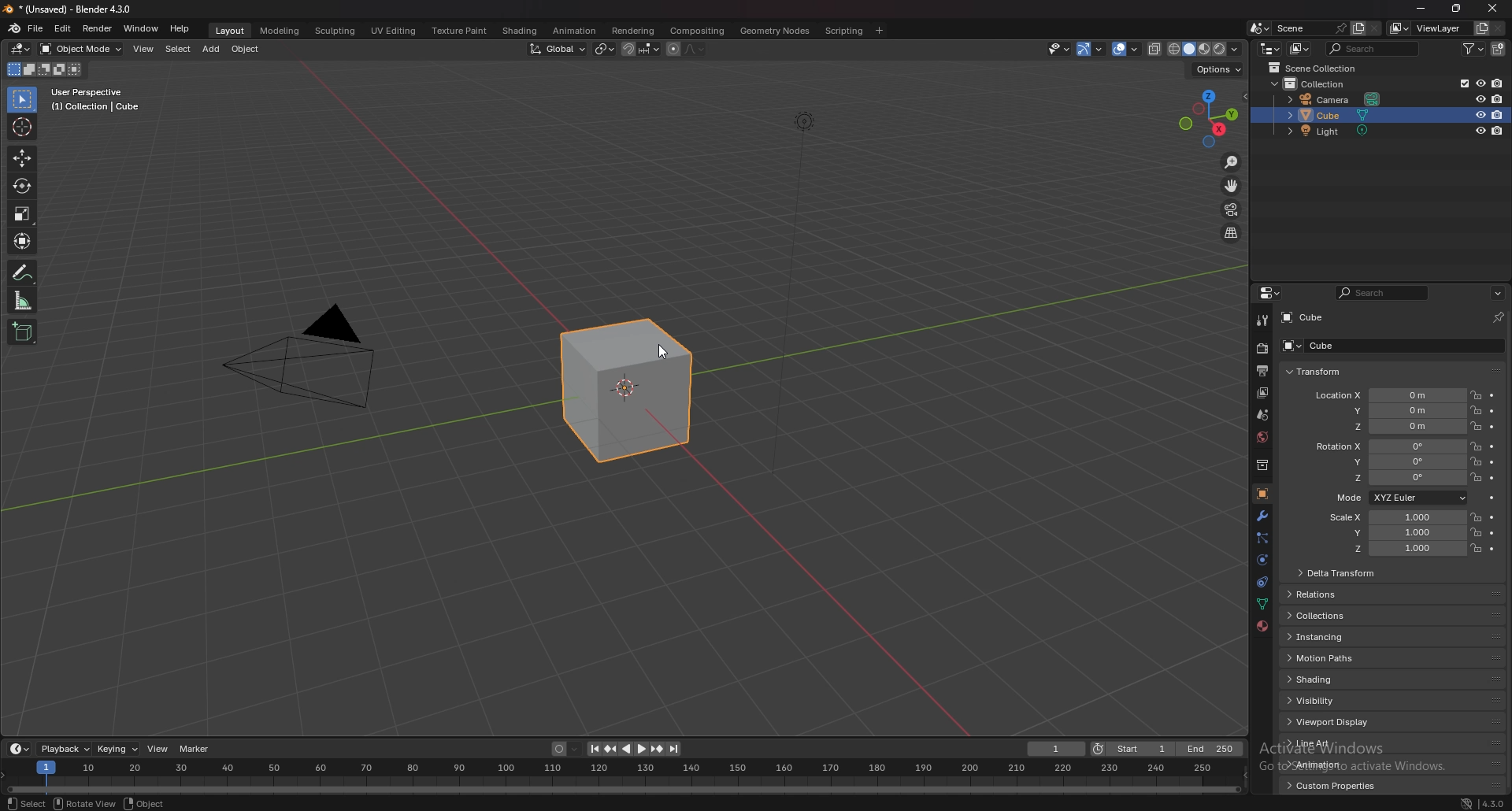 This screenshot has height=811, width=1512. Describe the element at coordinates (657, 750) in the screenshot. I see `jump to keyframe` at that location.